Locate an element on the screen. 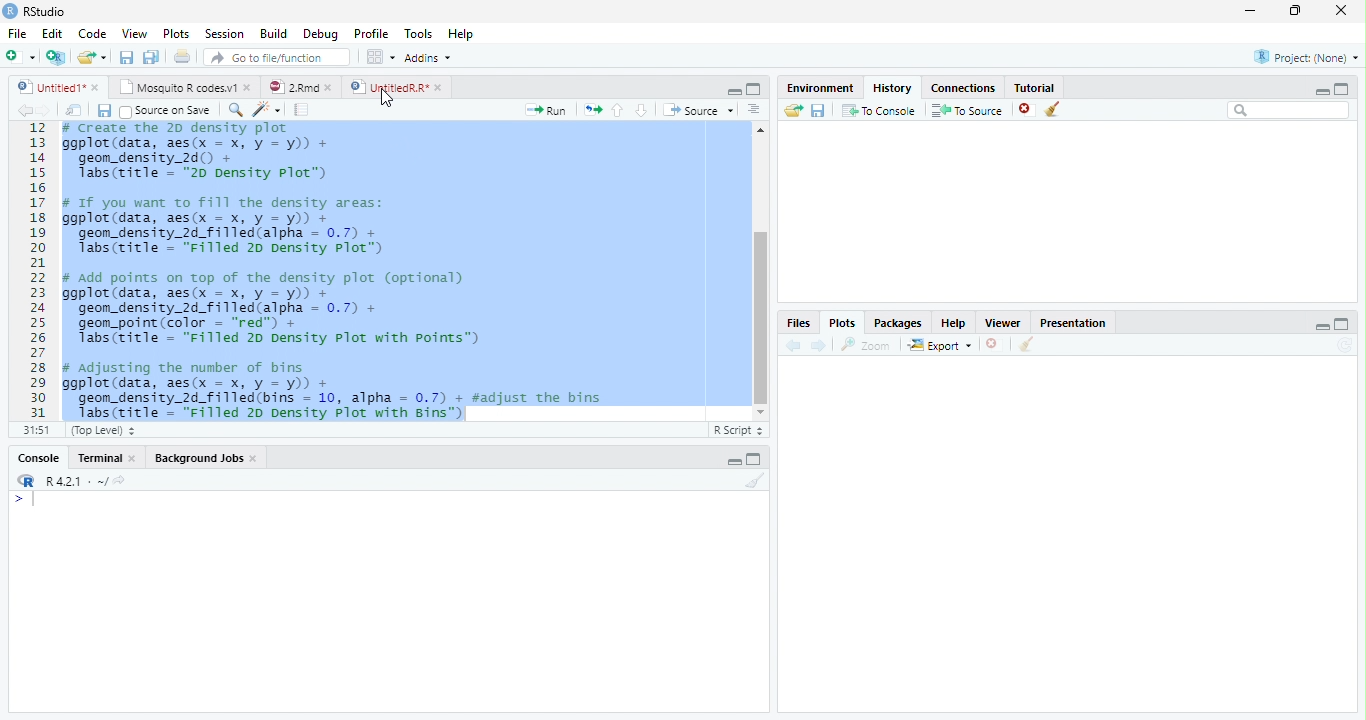  (Top Level) is located at coordinates (101, 431).